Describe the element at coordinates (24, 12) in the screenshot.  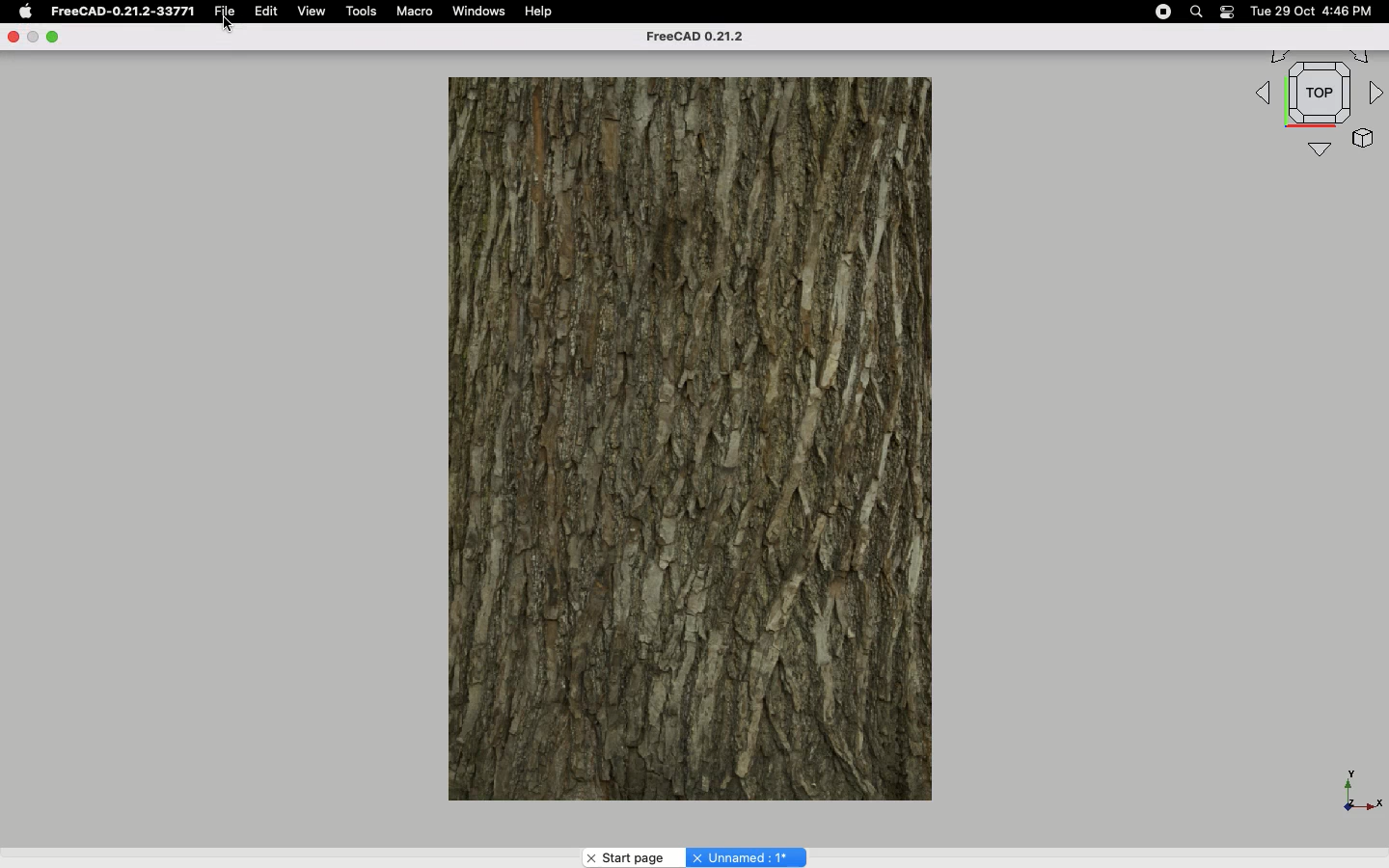
I see `Apple logo` at that location.